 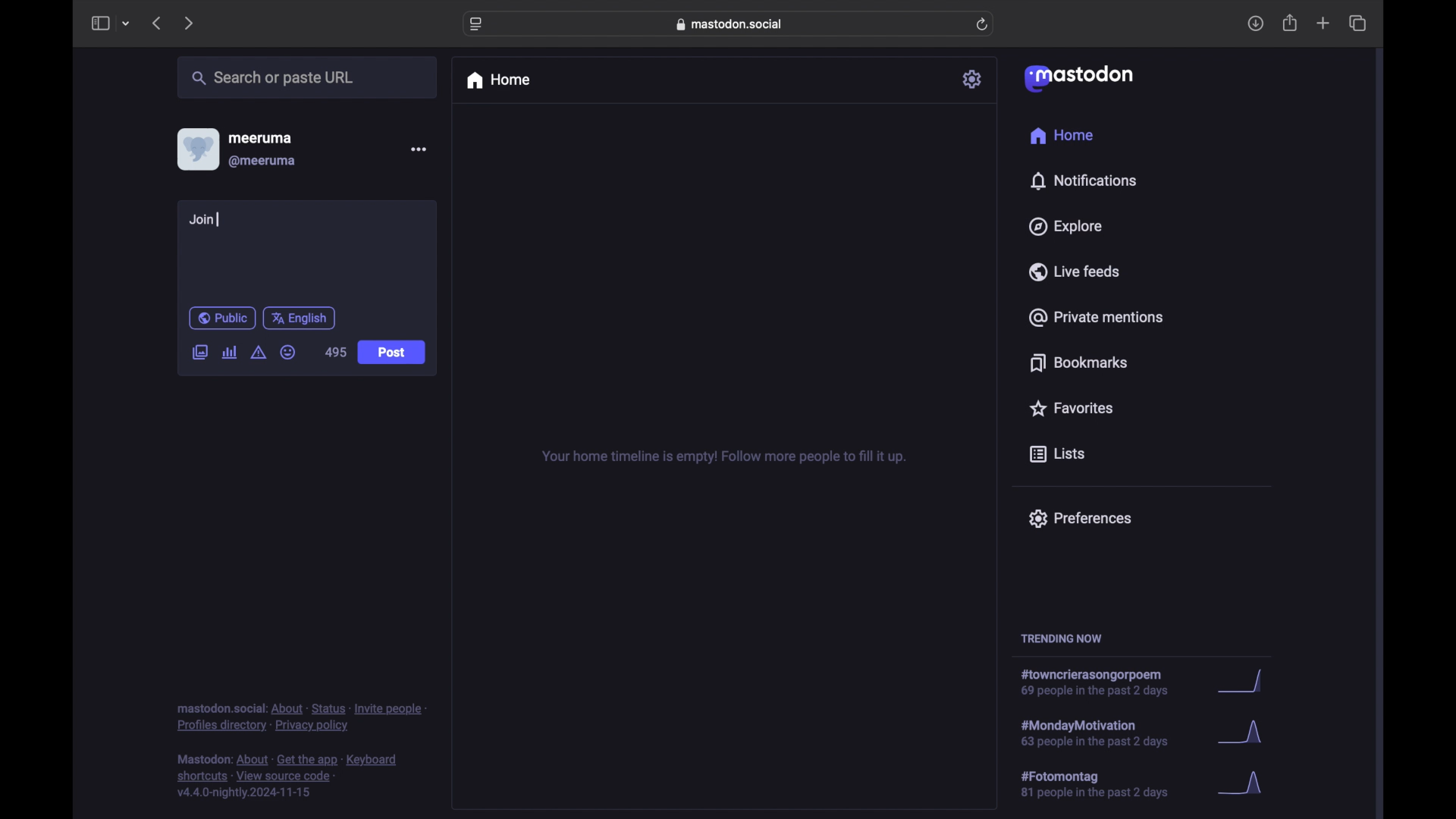 What do you see at coordinates (218, 219) in the screenshot?
I see `text cursor` at bounding box center [218, 219].